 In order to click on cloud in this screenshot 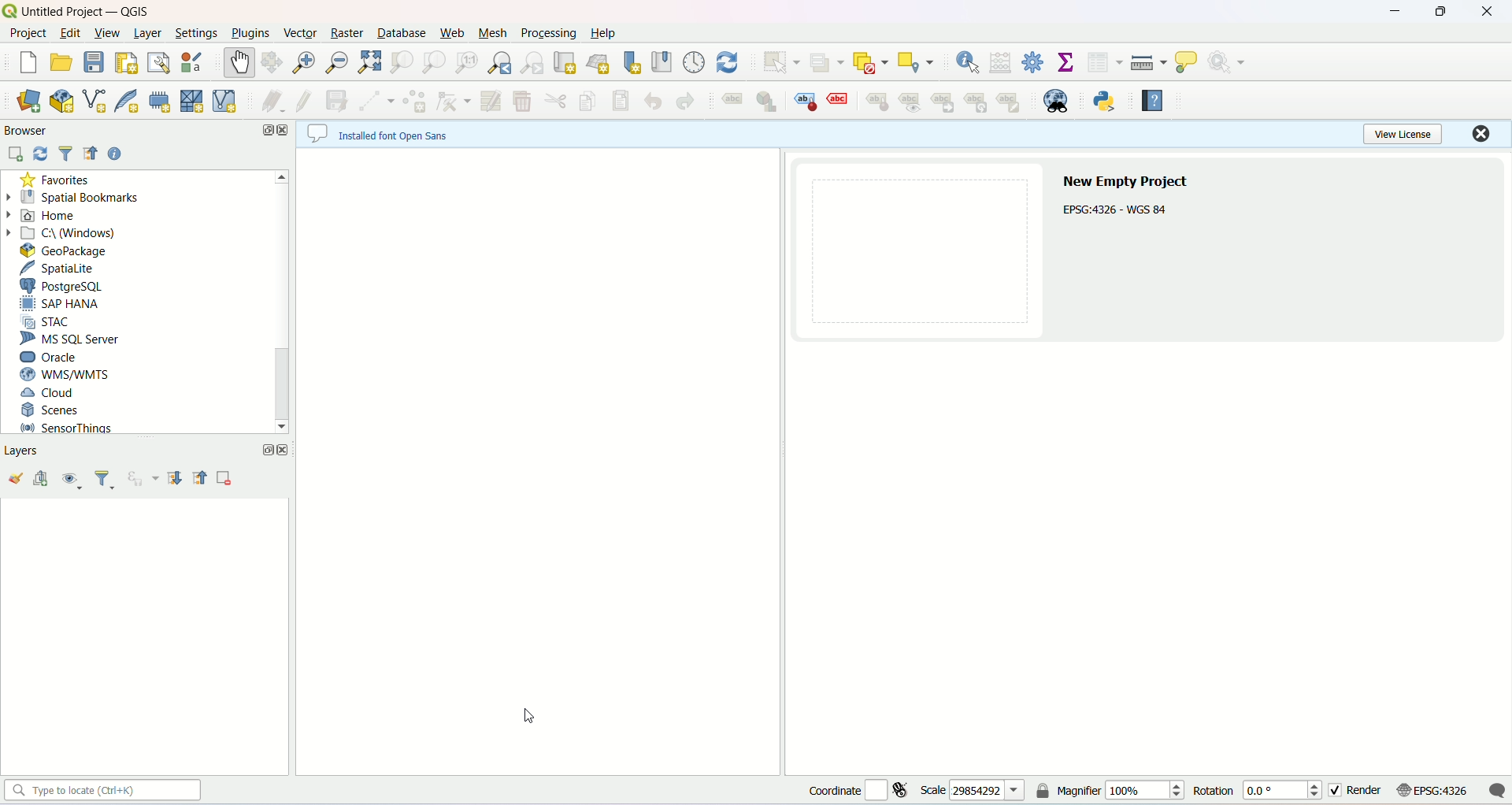, I will do `click(50, 394)`.